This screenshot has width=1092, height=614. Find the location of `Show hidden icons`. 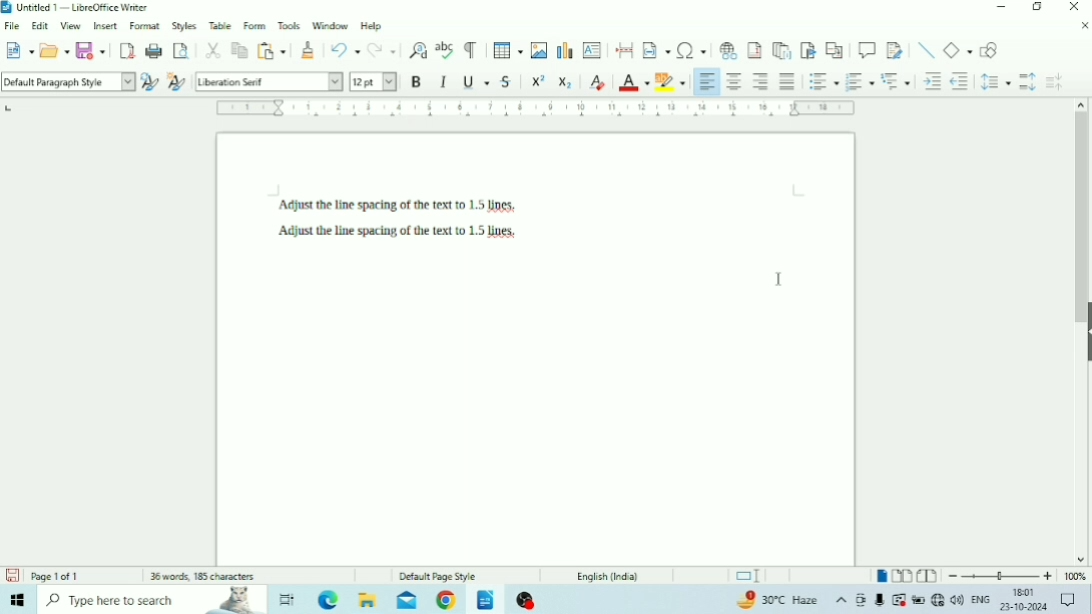

Show hidden icons is located at coordinates (842, 600).